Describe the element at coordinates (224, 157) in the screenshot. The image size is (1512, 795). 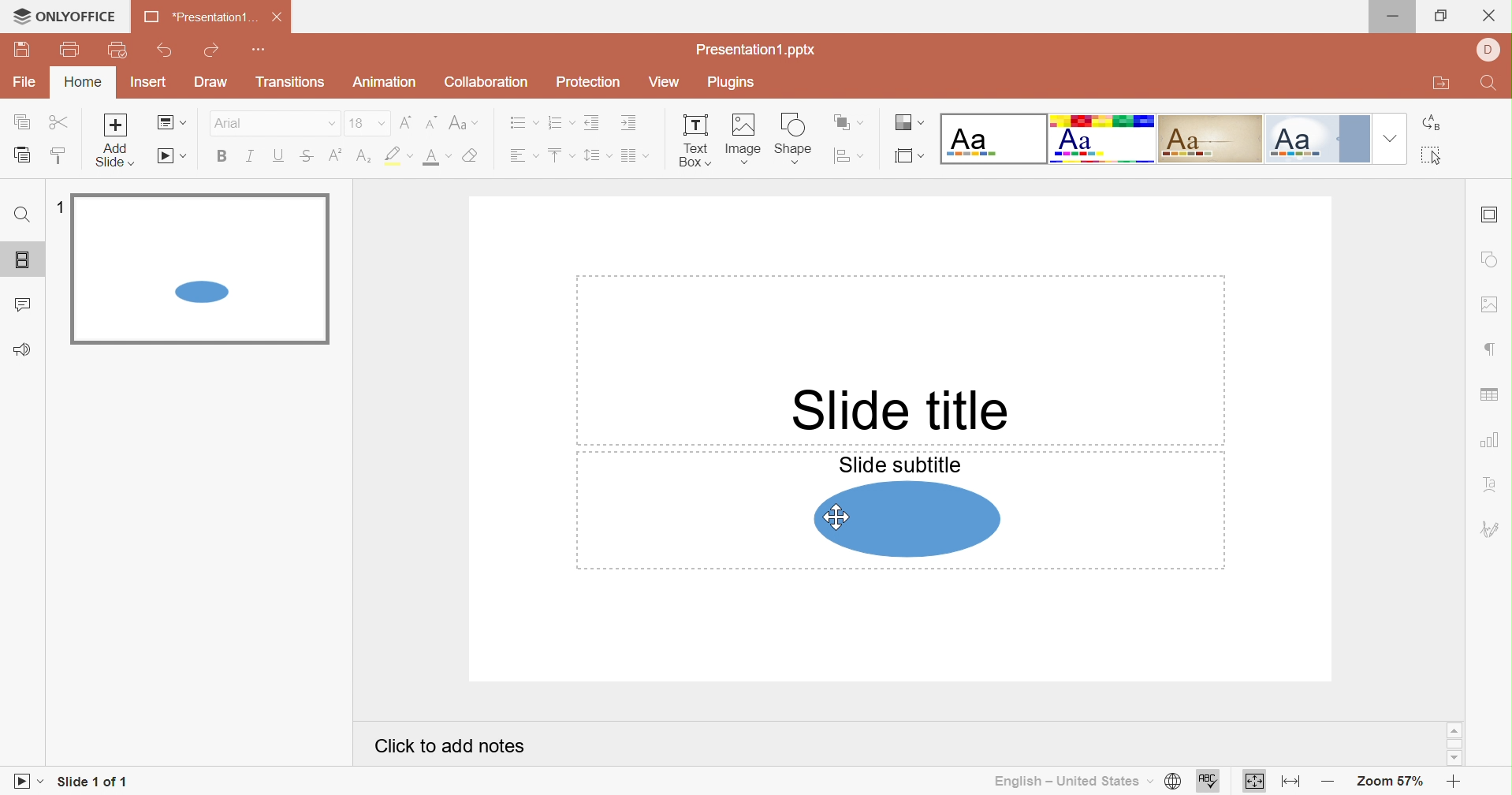
I see `Bold` at that location.